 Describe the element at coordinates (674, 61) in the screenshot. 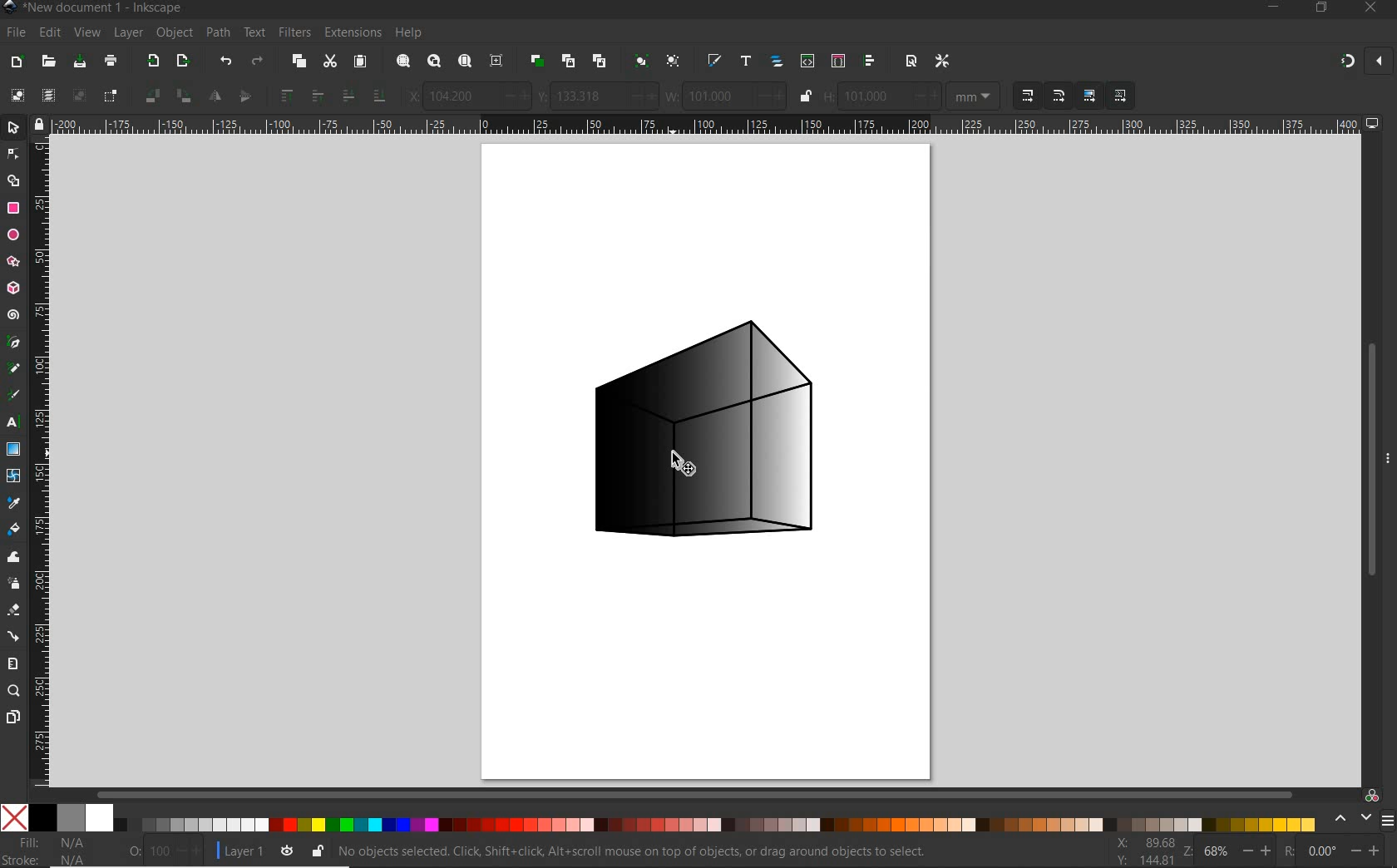

I see `UNGROUP` at that location.